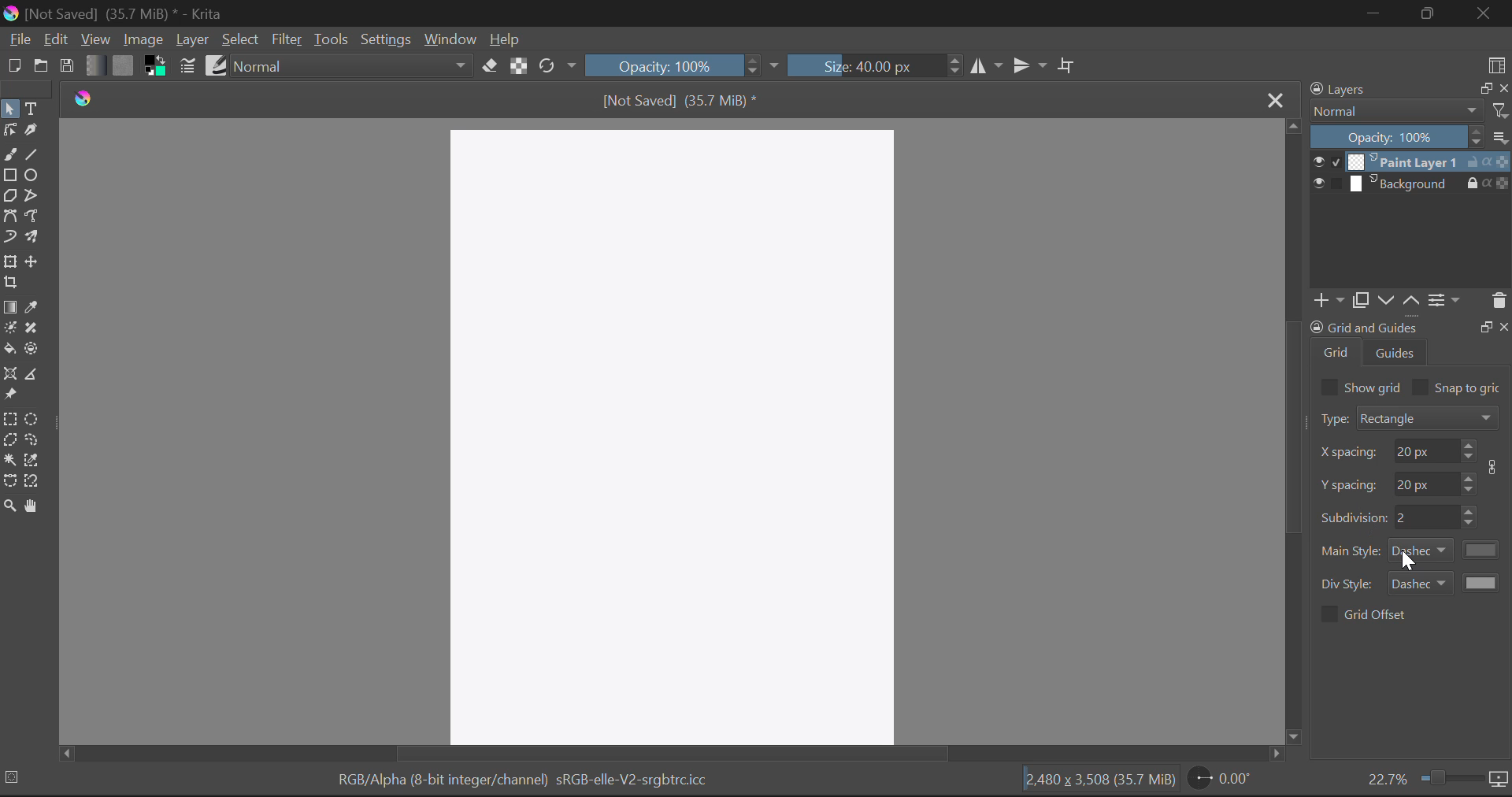 Image resolution: width=1512 pixels, height=797 pixels. What do you see at coordinates (558, 66) in the screenshot?
I see `Rotate` at bounding box center [558, 66].